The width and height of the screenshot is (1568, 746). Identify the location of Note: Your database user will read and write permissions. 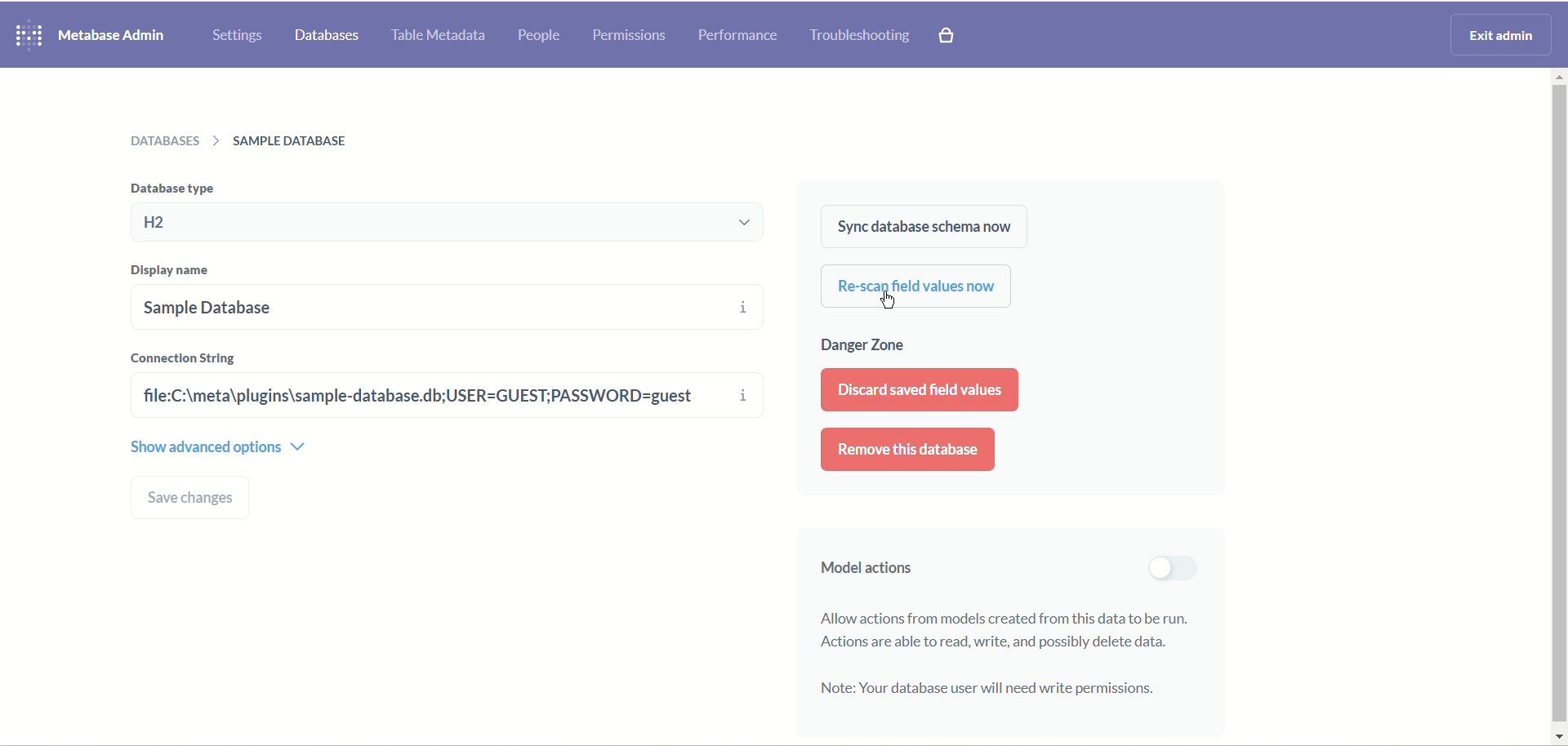
(988, 689).